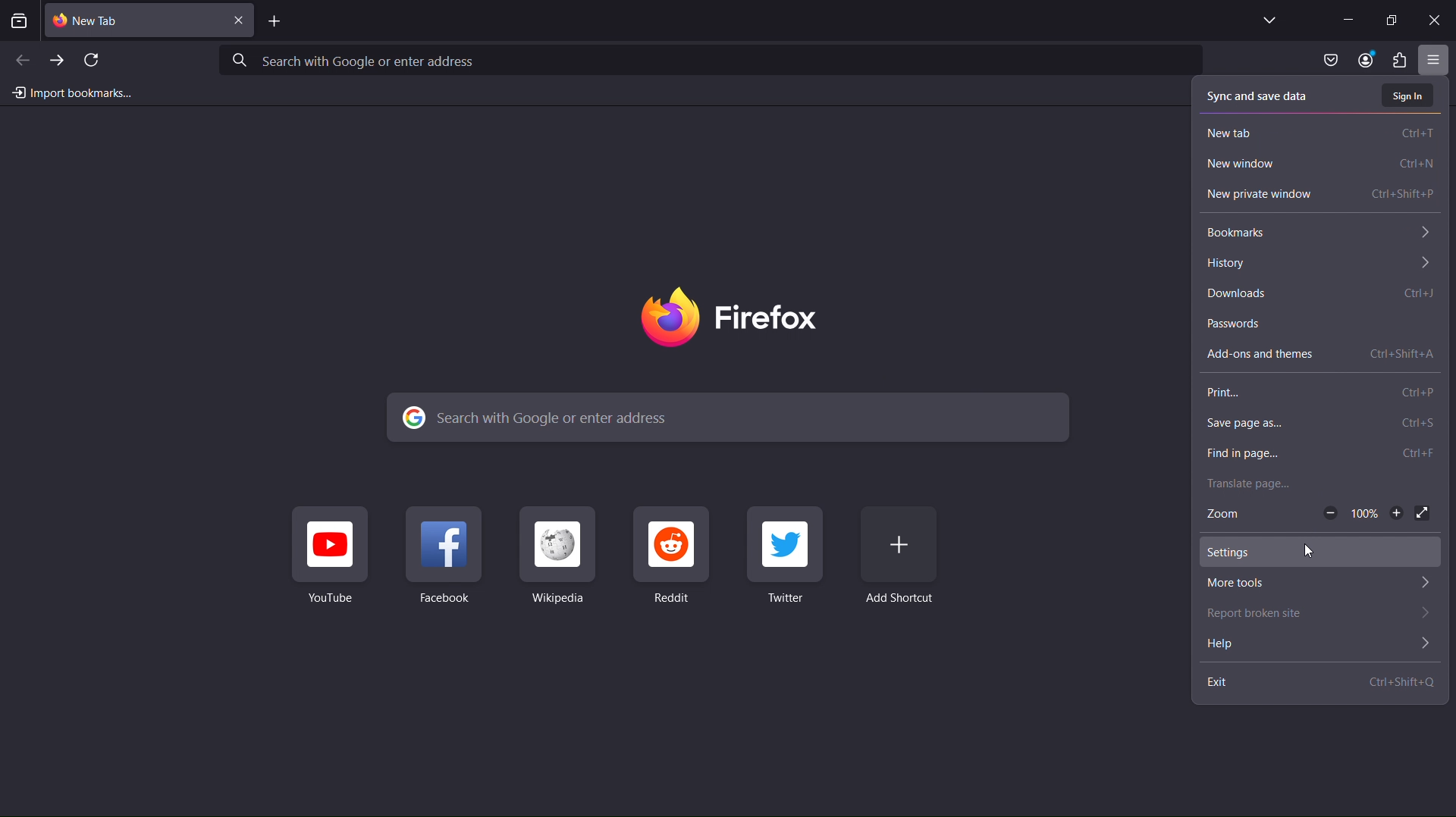 The width and height of the screenshot is (1456, 817). What do you see at coordinates (1369, 60) in the screenshot?
I see `Account` at bounding box center [1369, 60].